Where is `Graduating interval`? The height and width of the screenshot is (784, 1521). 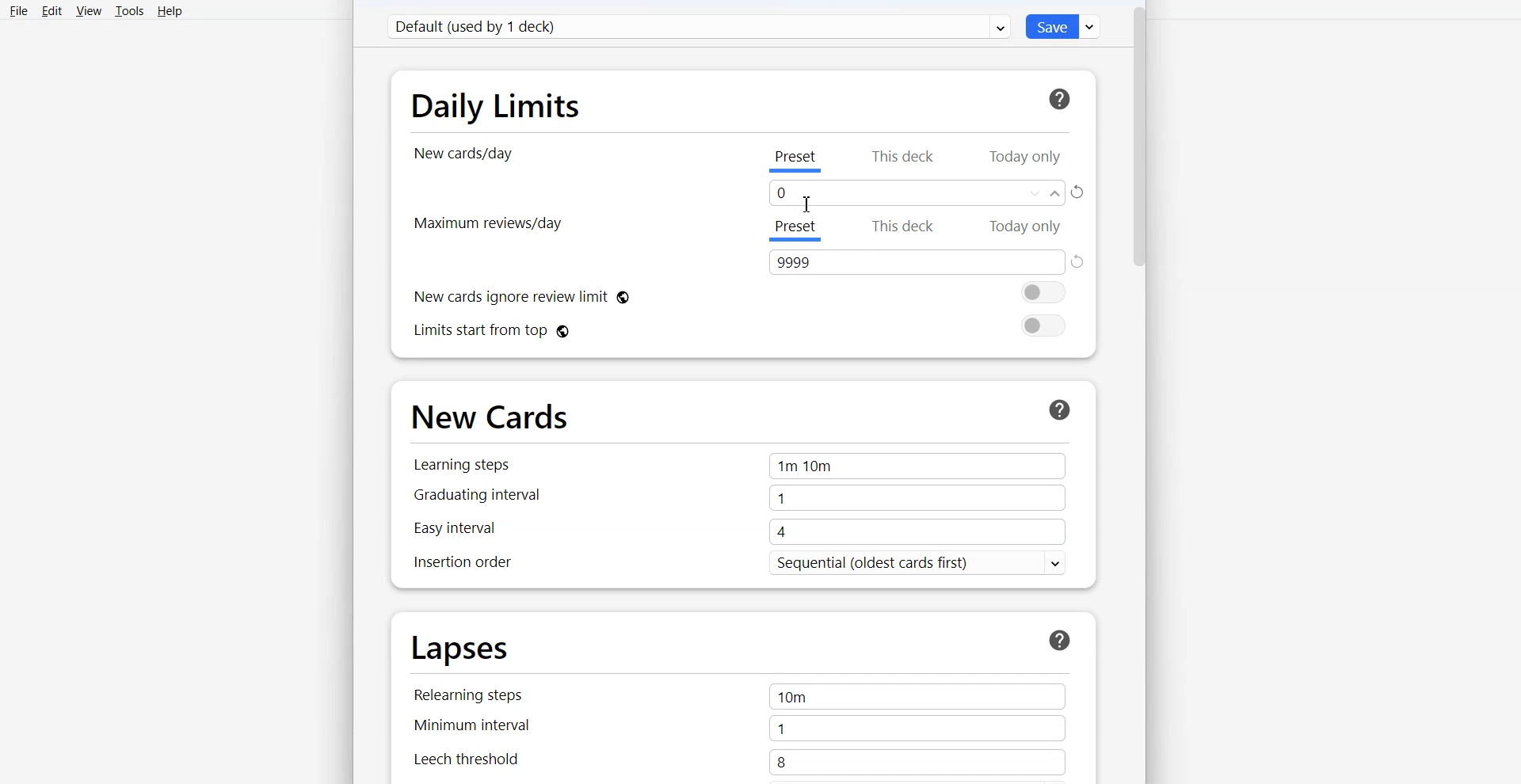 Graduating interval is located at coordinates (485, 499).